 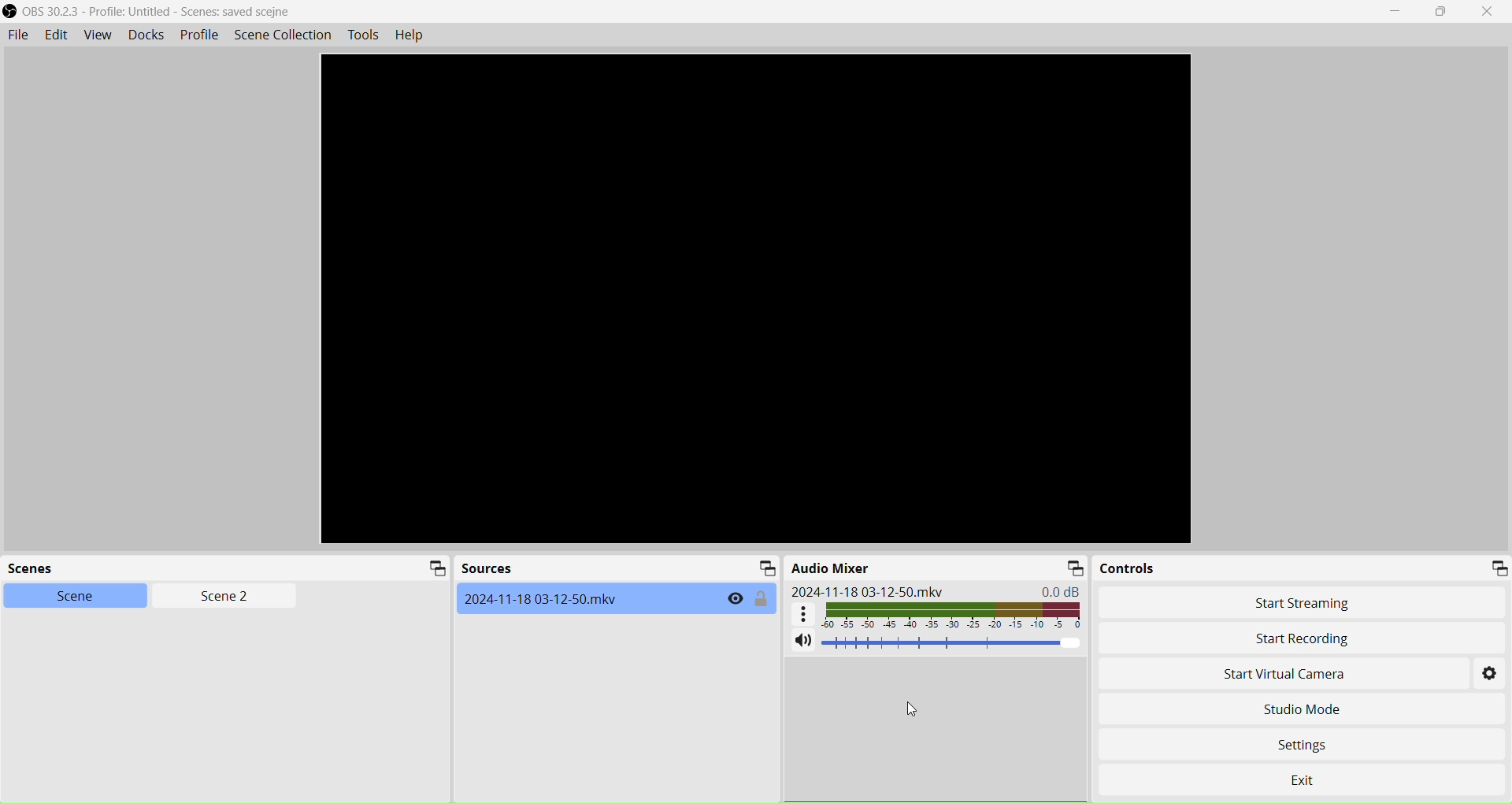 I want to click on 0.0 dB, so click(x=1064, y=590).